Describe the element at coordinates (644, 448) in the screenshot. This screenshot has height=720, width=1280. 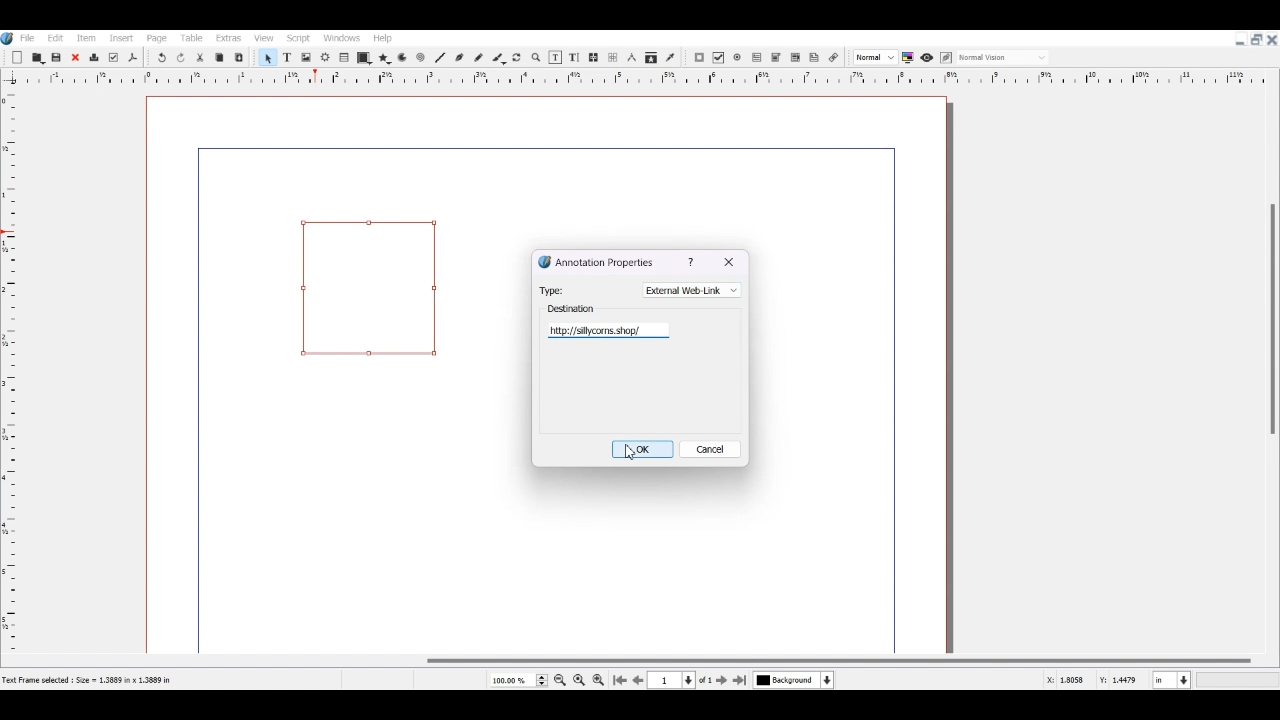
I see `OK` at that location.